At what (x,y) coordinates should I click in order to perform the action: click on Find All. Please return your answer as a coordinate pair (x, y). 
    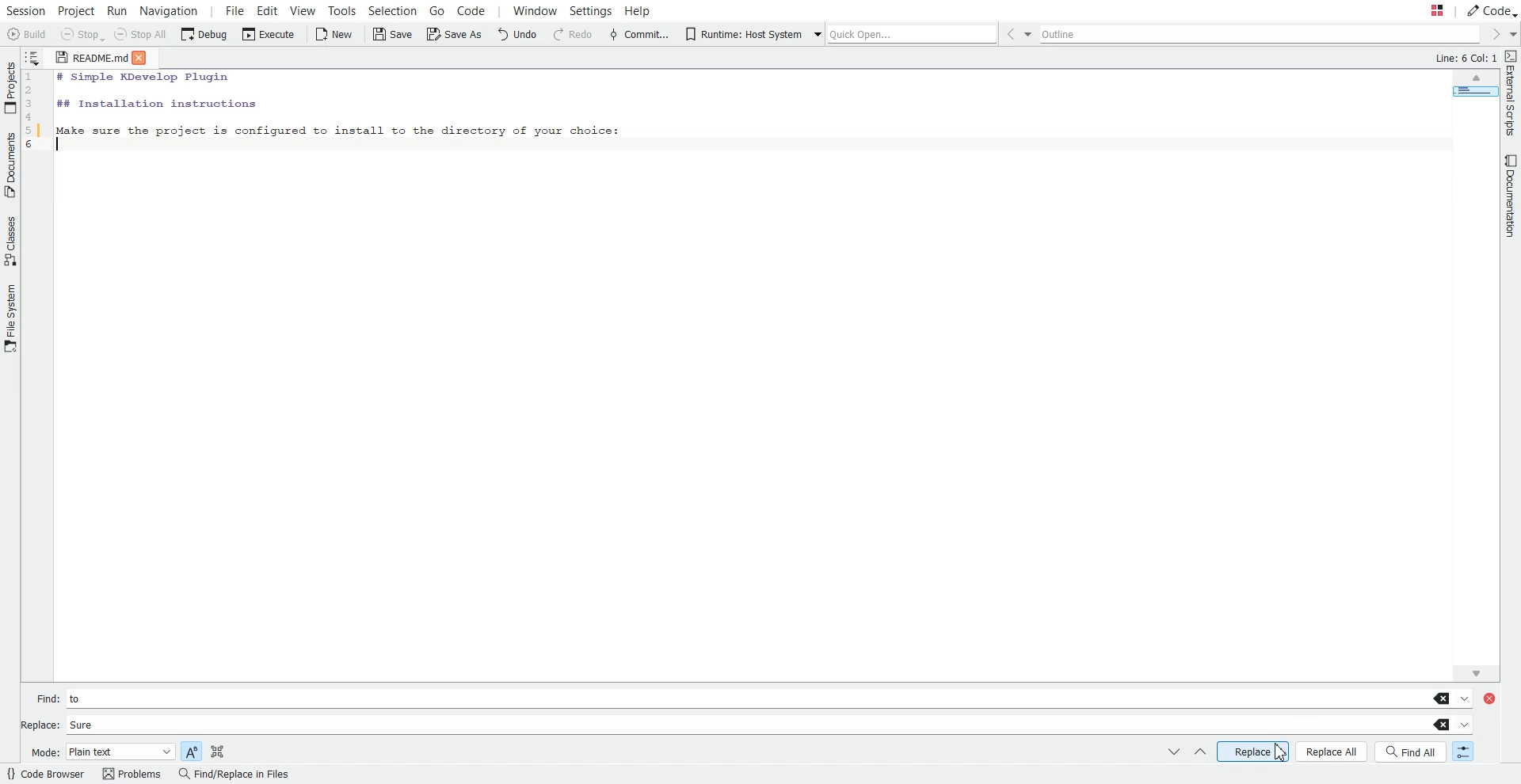
    Looking at the image, I should click on (1412, 752).